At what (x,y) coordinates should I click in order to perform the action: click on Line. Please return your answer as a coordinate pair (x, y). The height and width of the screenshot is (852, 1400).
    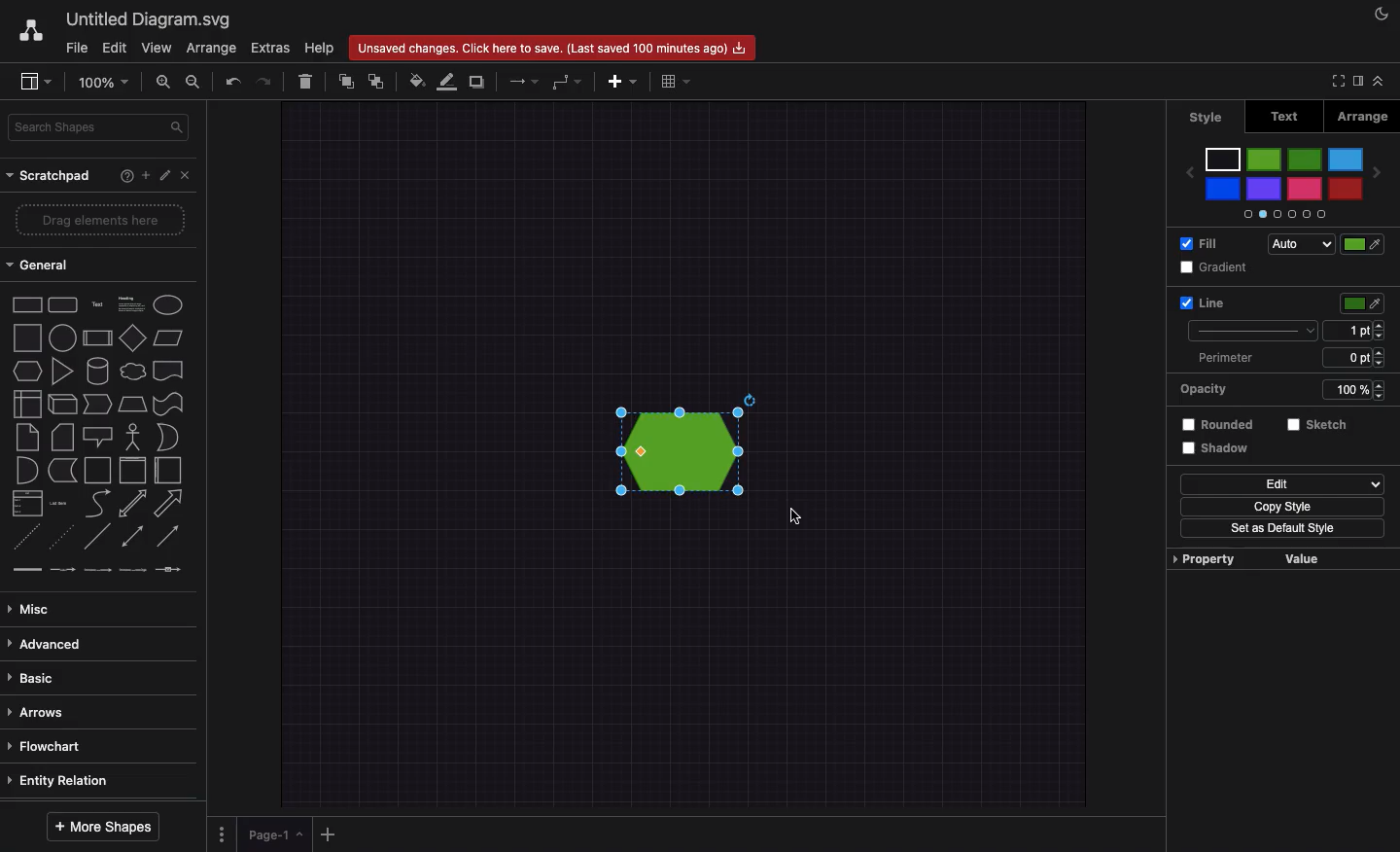
    Looking at the image, I should click on (1207, 302).